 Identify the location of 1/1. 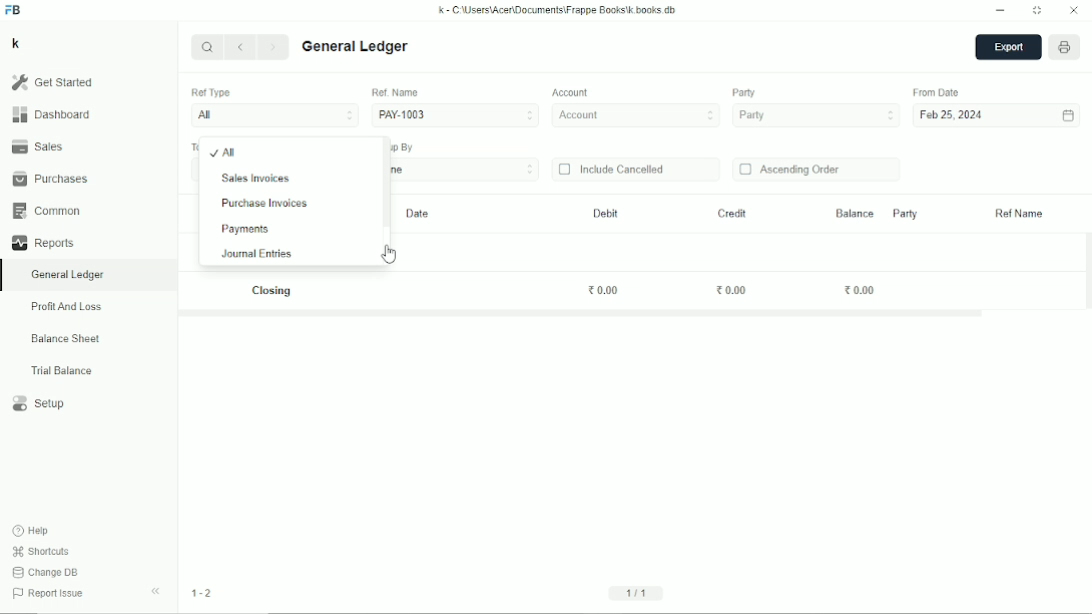
(639, 592).